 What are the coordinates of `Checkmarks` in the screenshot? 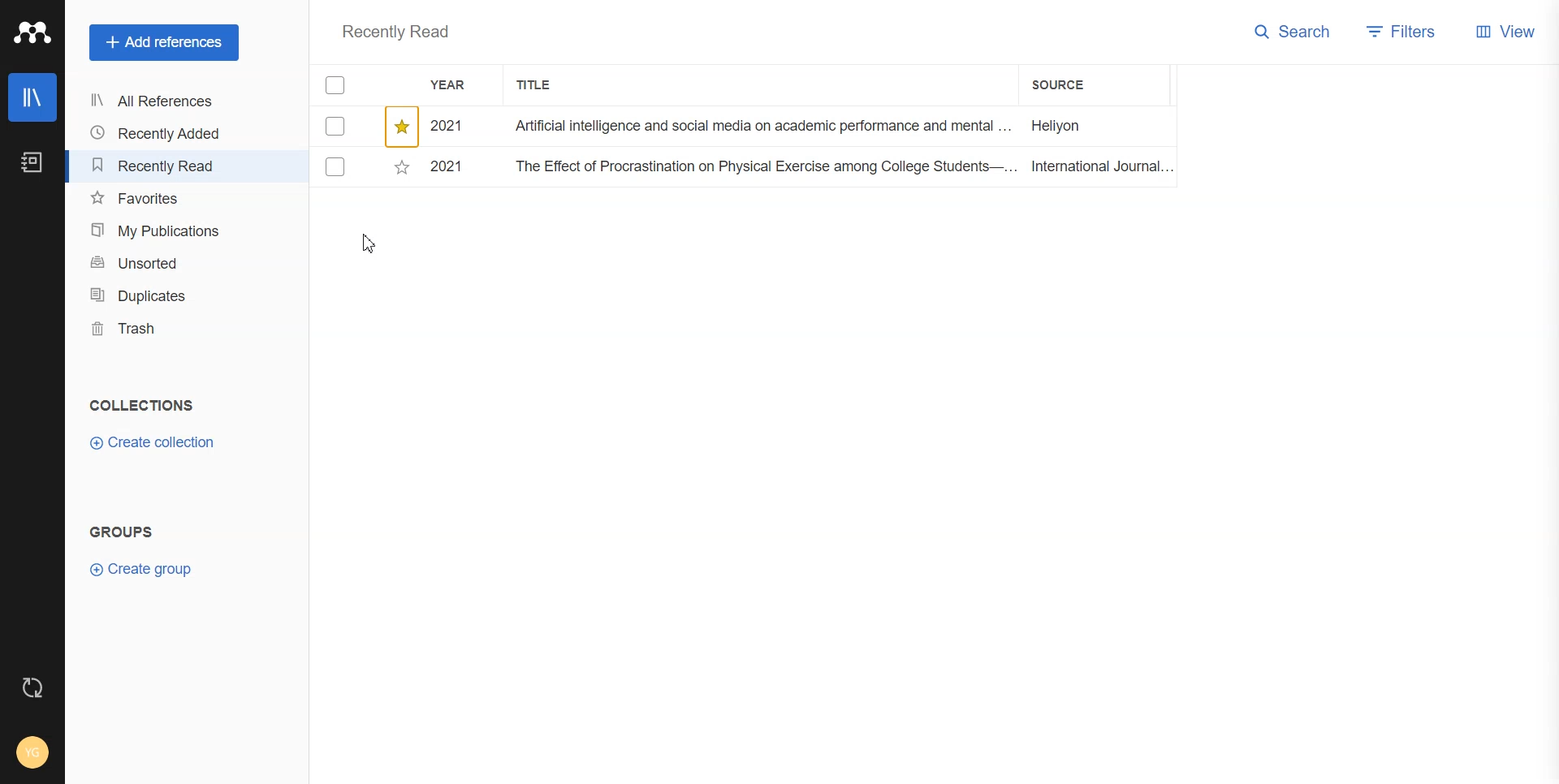 It's located at (337, 84).